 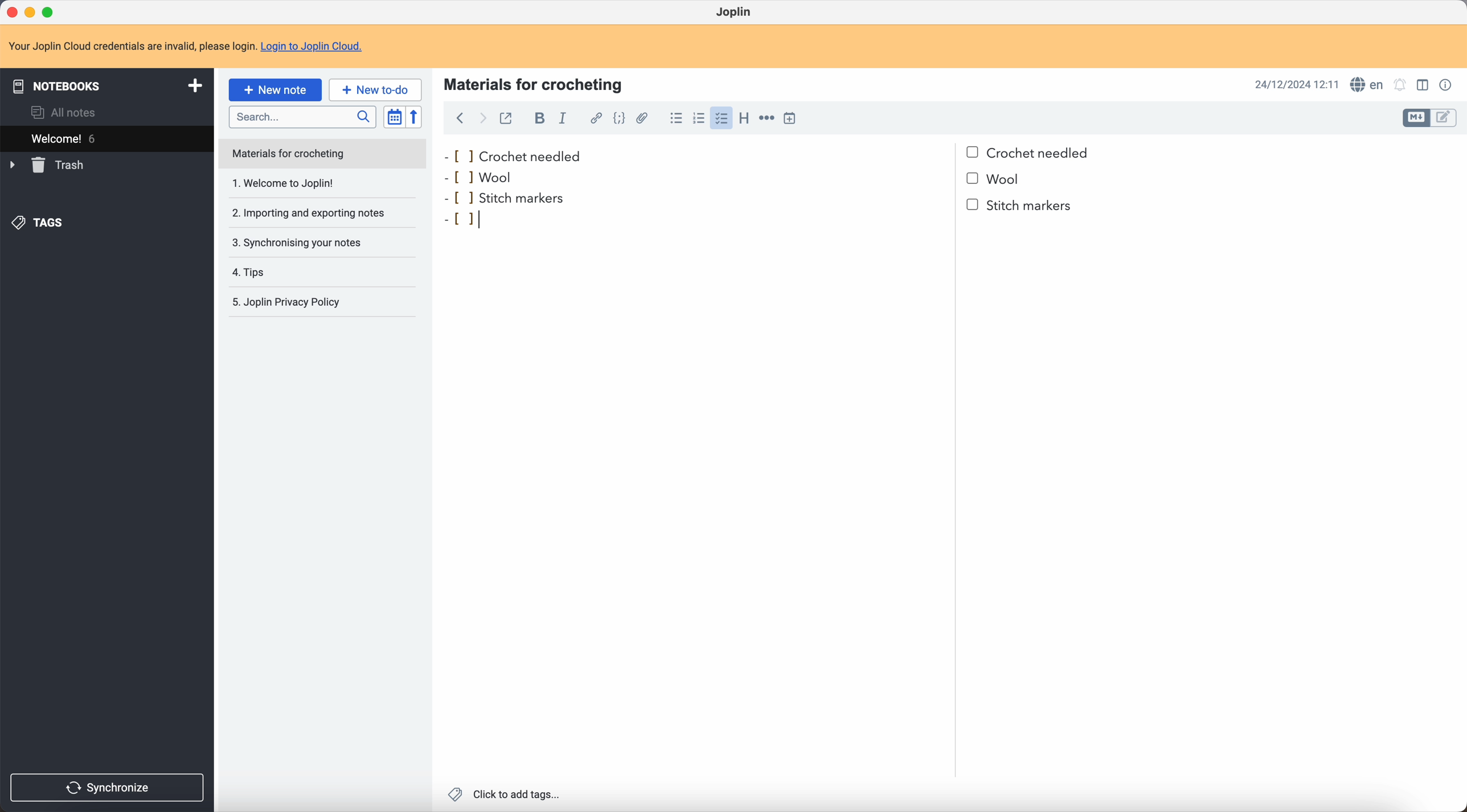 I want to click on notebooks, so click(x=105, y=84).